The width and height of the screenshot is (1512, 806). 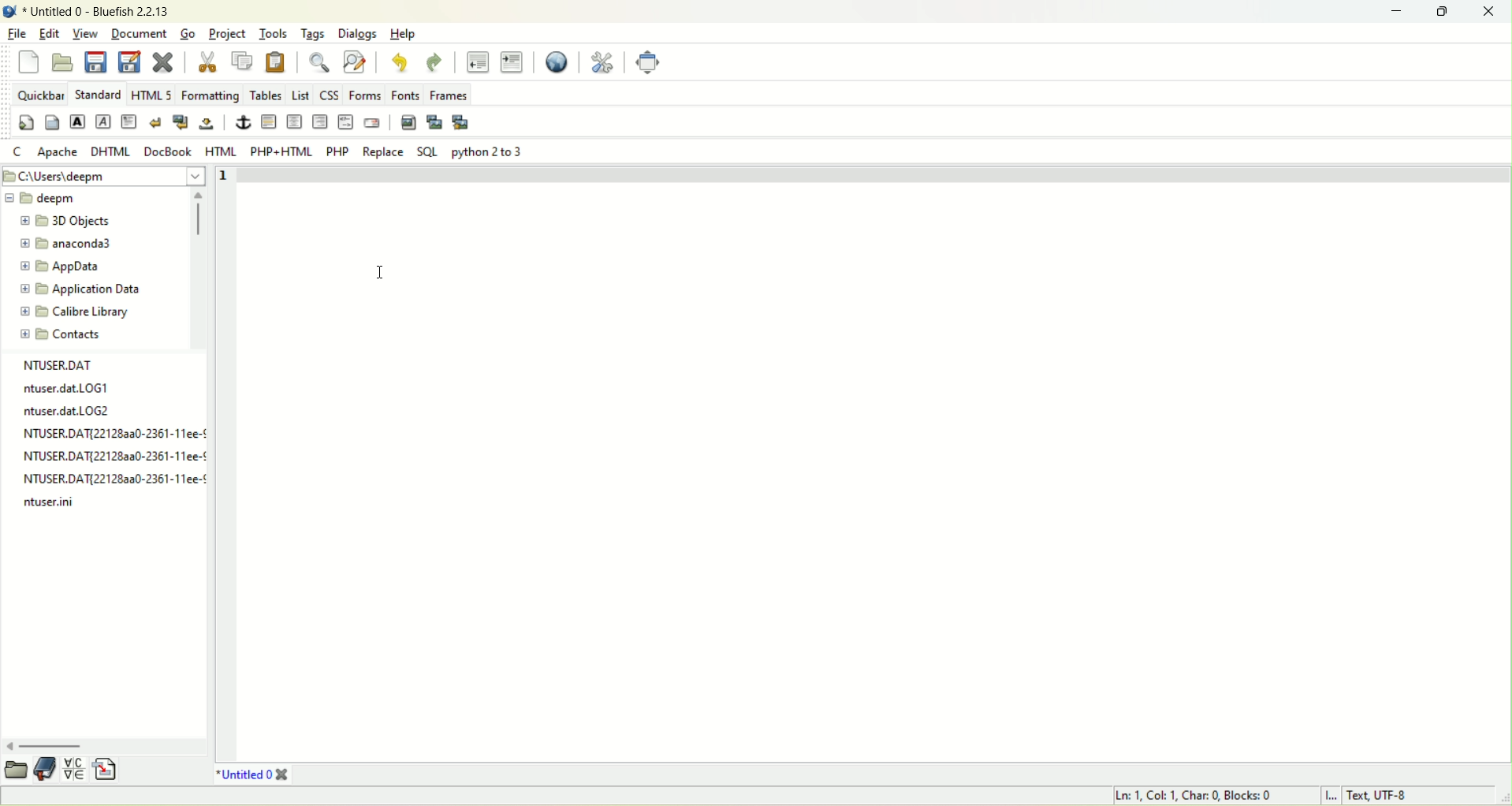 What do you see at coordinates (189, 32) in the screenshot?
I see `Go` at bounding box center [189, 32].